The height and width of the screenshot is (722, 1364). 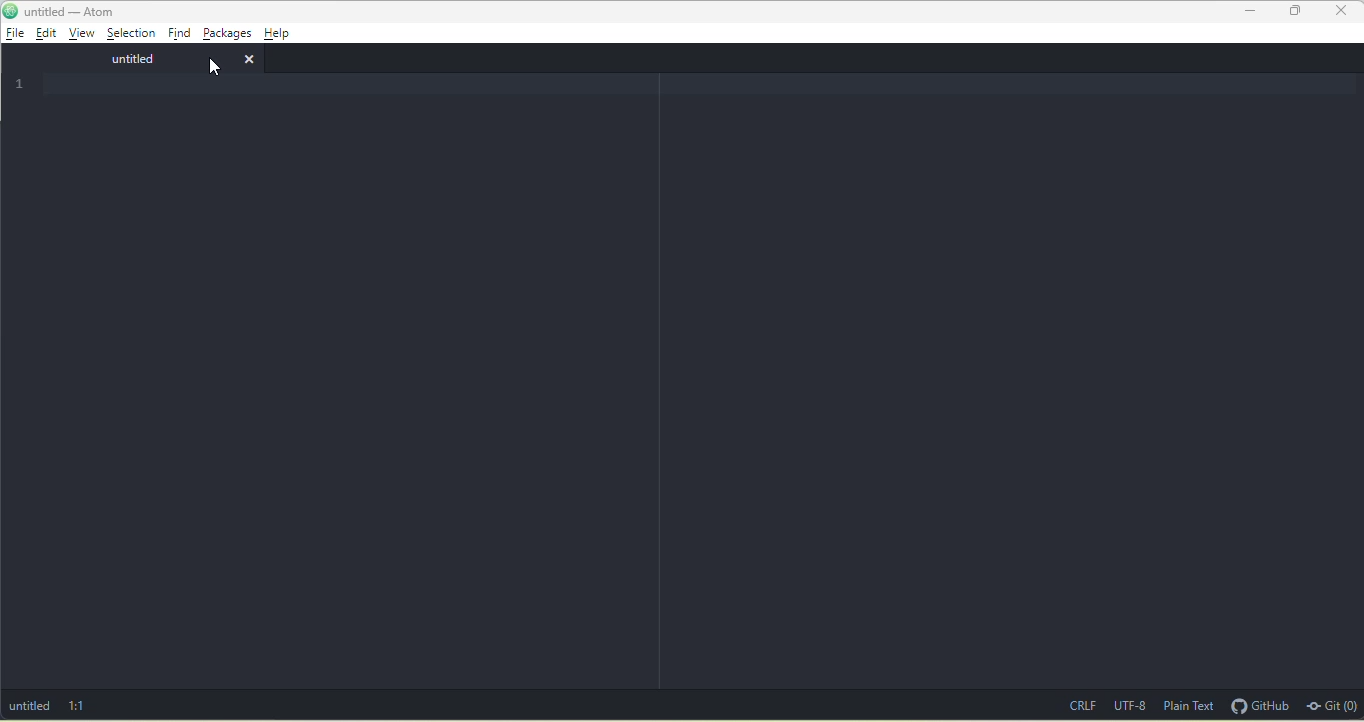 What do you see at coordinates (1332, 705) in the screenshot?
I see `git` at bounding box center [1332, 705].